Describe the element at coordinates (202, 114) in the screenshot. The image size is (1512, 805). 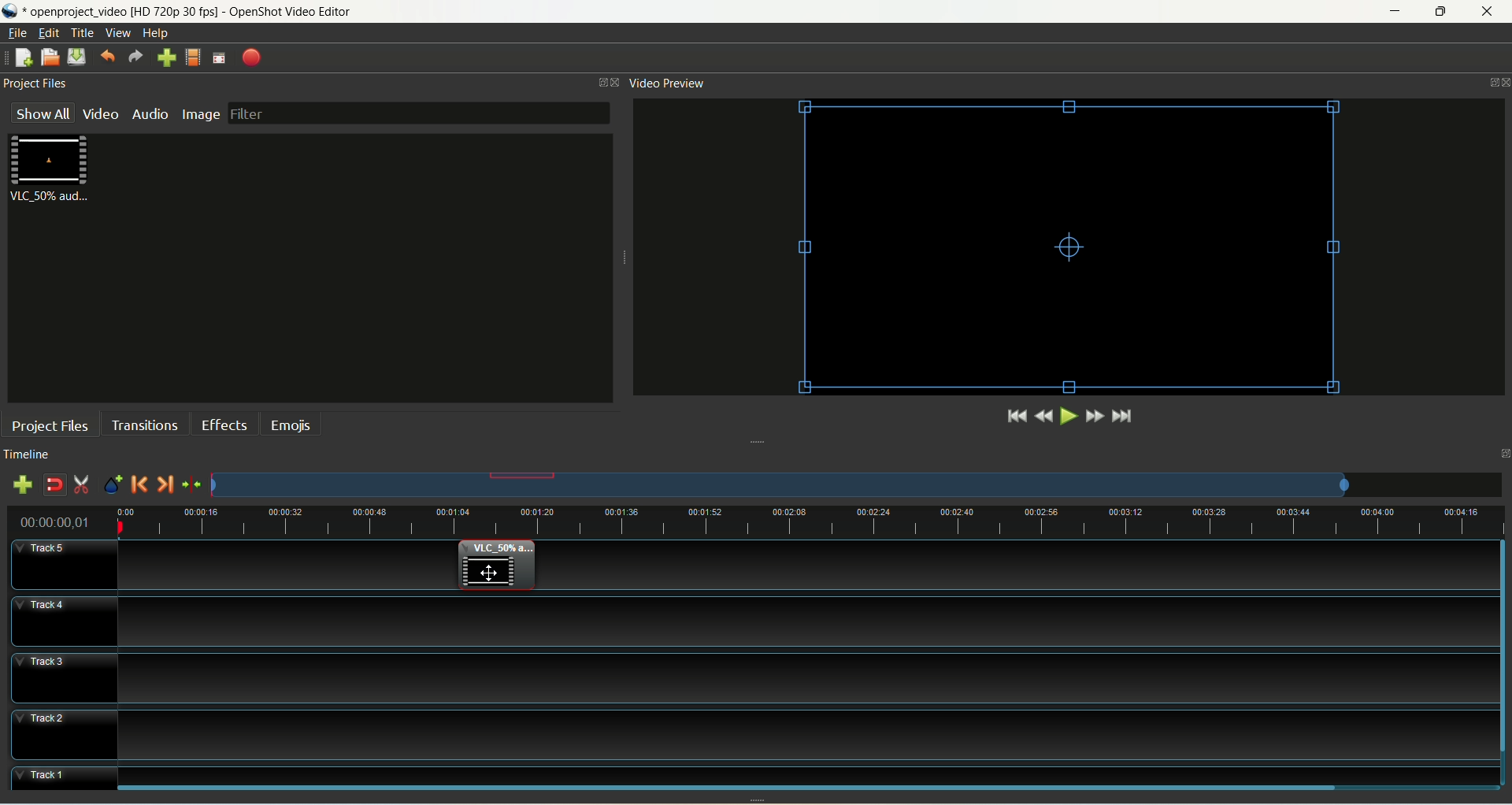
I see `image` at that location.